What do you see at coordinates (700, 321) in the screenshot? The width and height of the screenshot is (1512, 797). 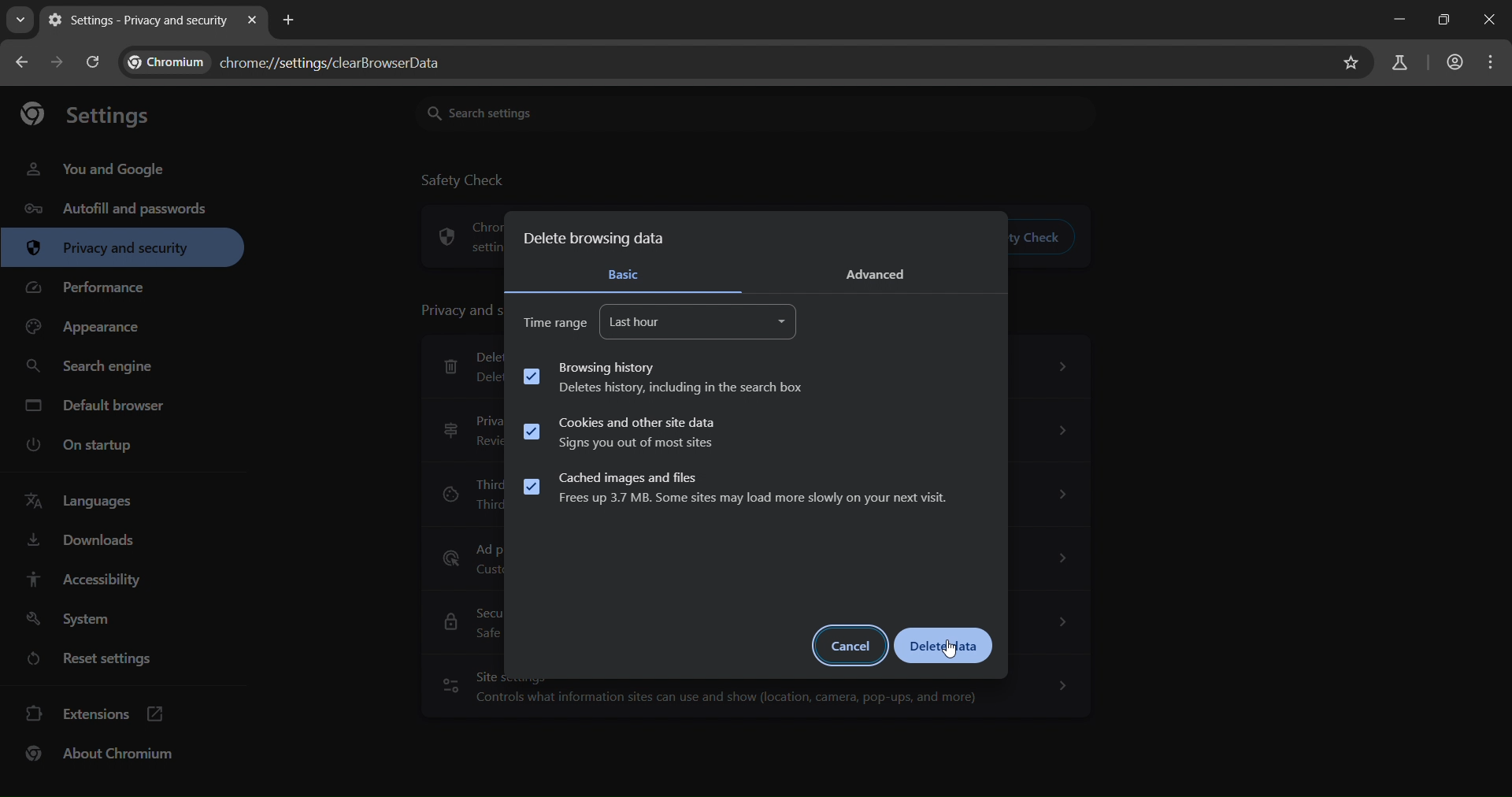 I see `Last hour` at bounding box center [700, 321].